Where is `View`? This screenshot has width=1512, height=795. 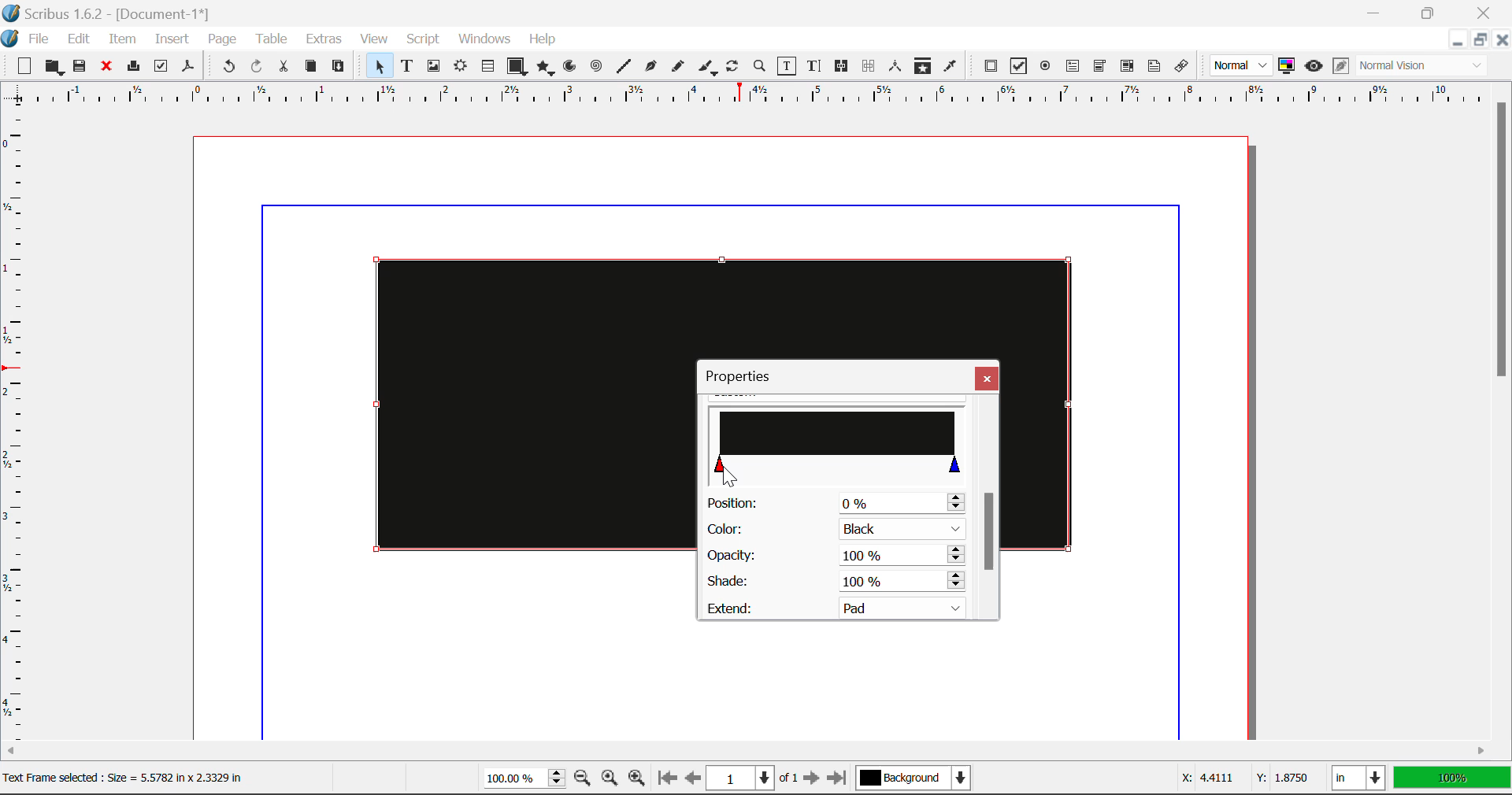 View is located at coordinates (374, 39).